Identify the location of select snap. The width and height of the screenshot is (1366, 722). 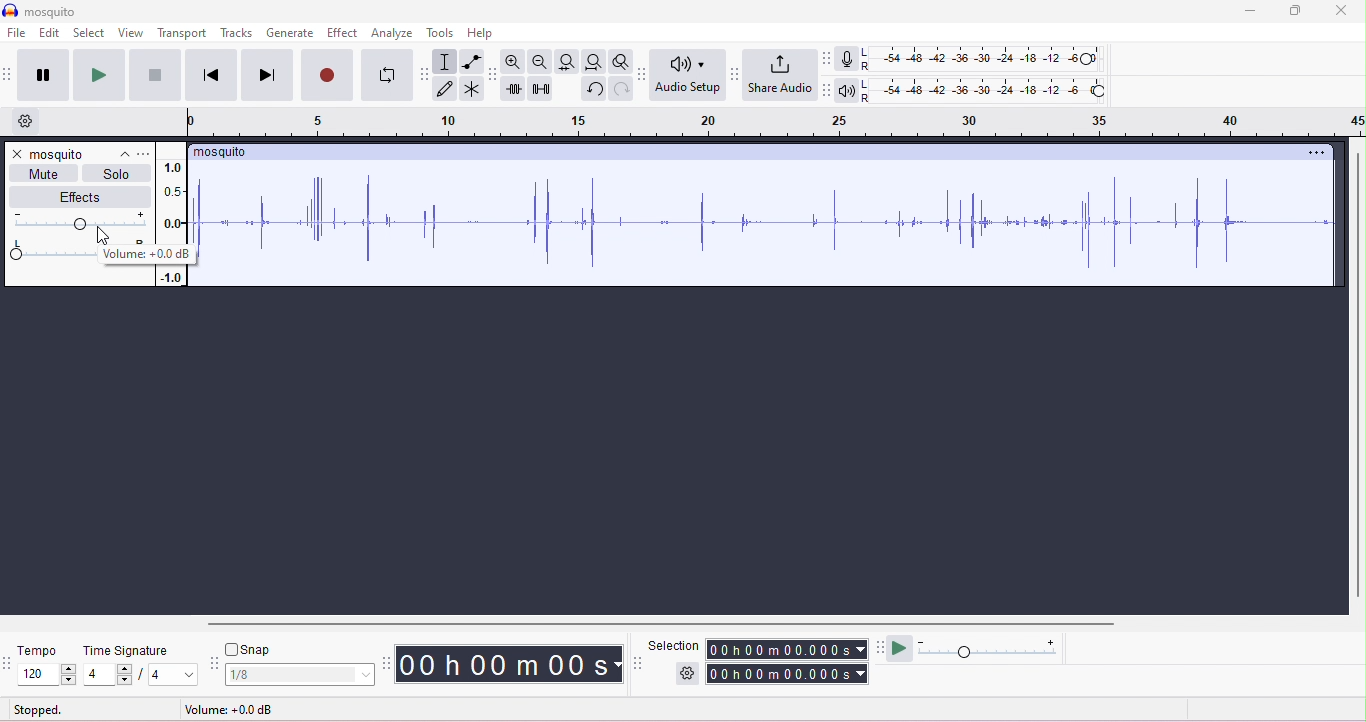
(301, 675).